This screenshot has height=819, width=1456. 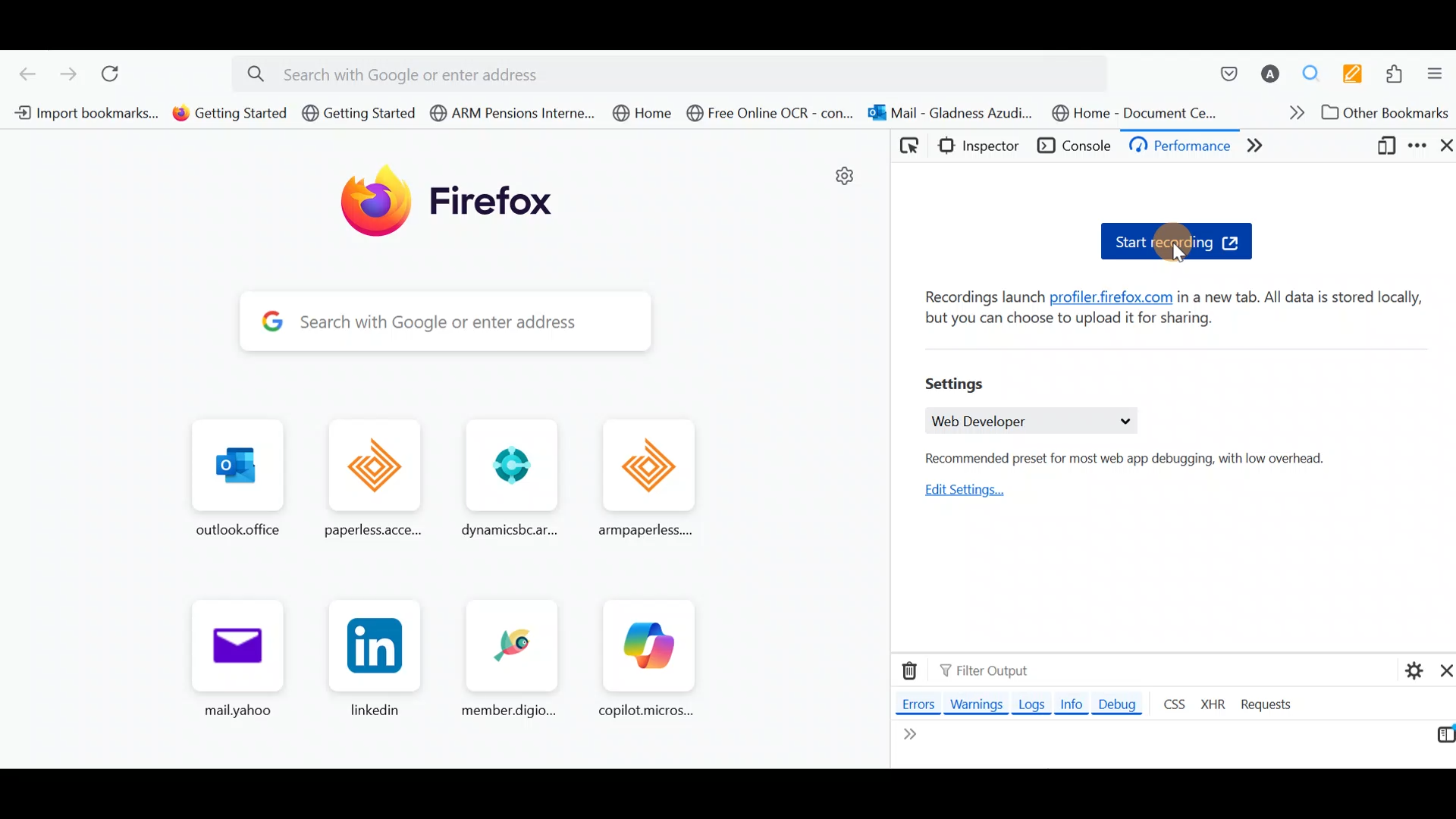 I want to click on Filter output, so click(x=981, y=673).